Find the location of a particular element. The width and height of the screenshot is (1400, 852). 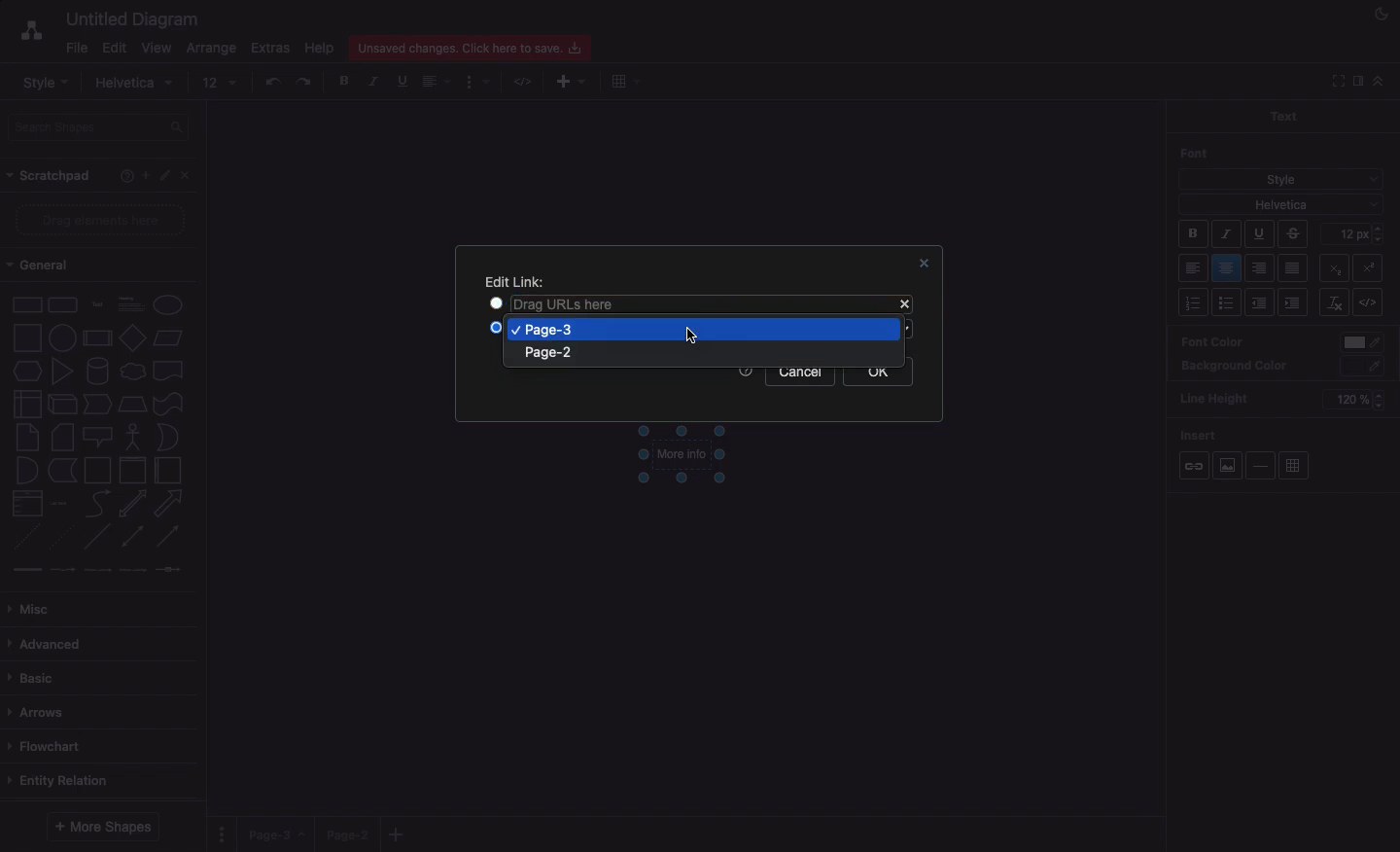

Untitled diagram is located at coordinates (126, 19).